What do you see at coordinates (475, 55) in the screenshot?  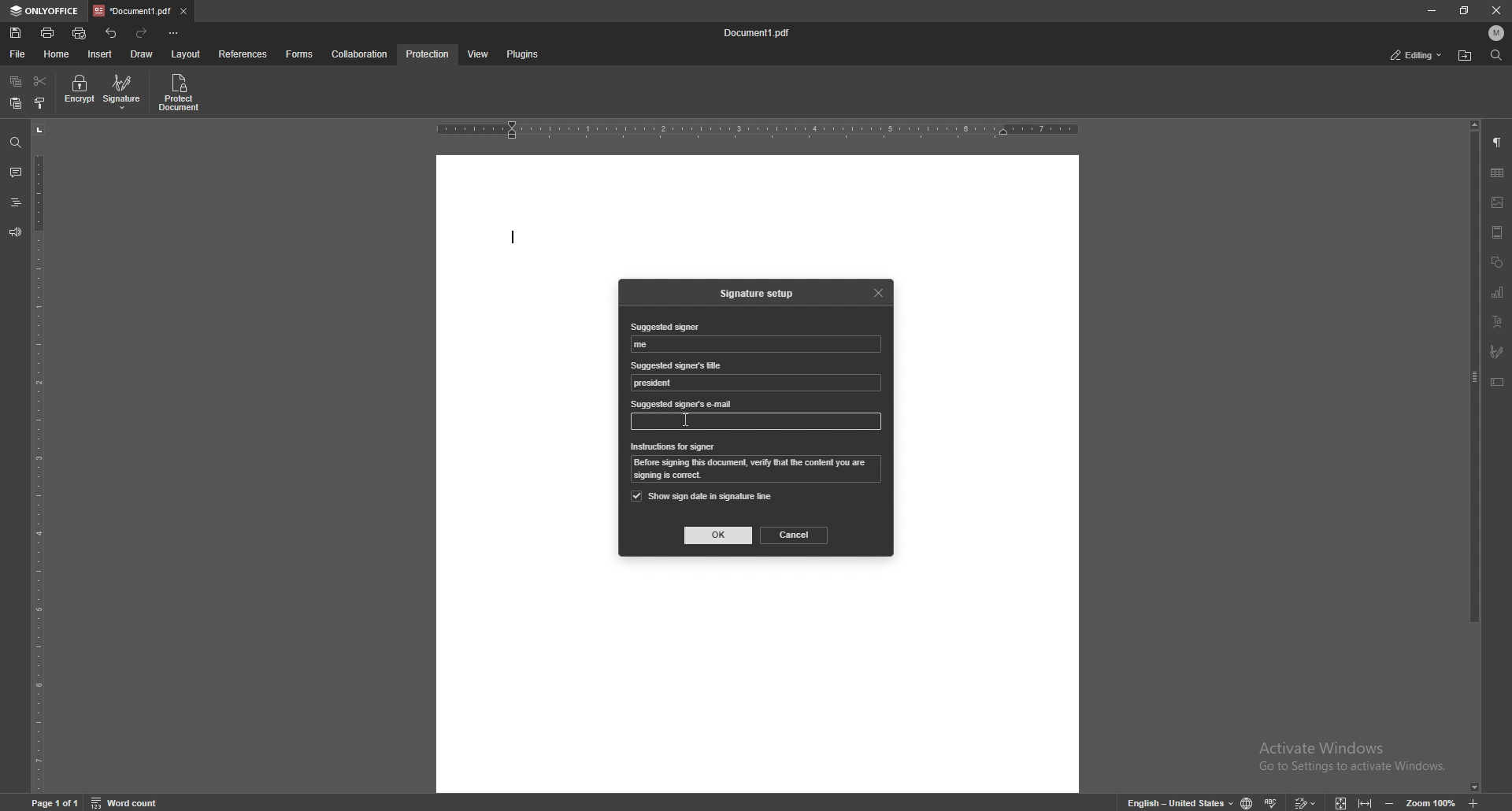 I see `view` at bounding box center [475, 55].